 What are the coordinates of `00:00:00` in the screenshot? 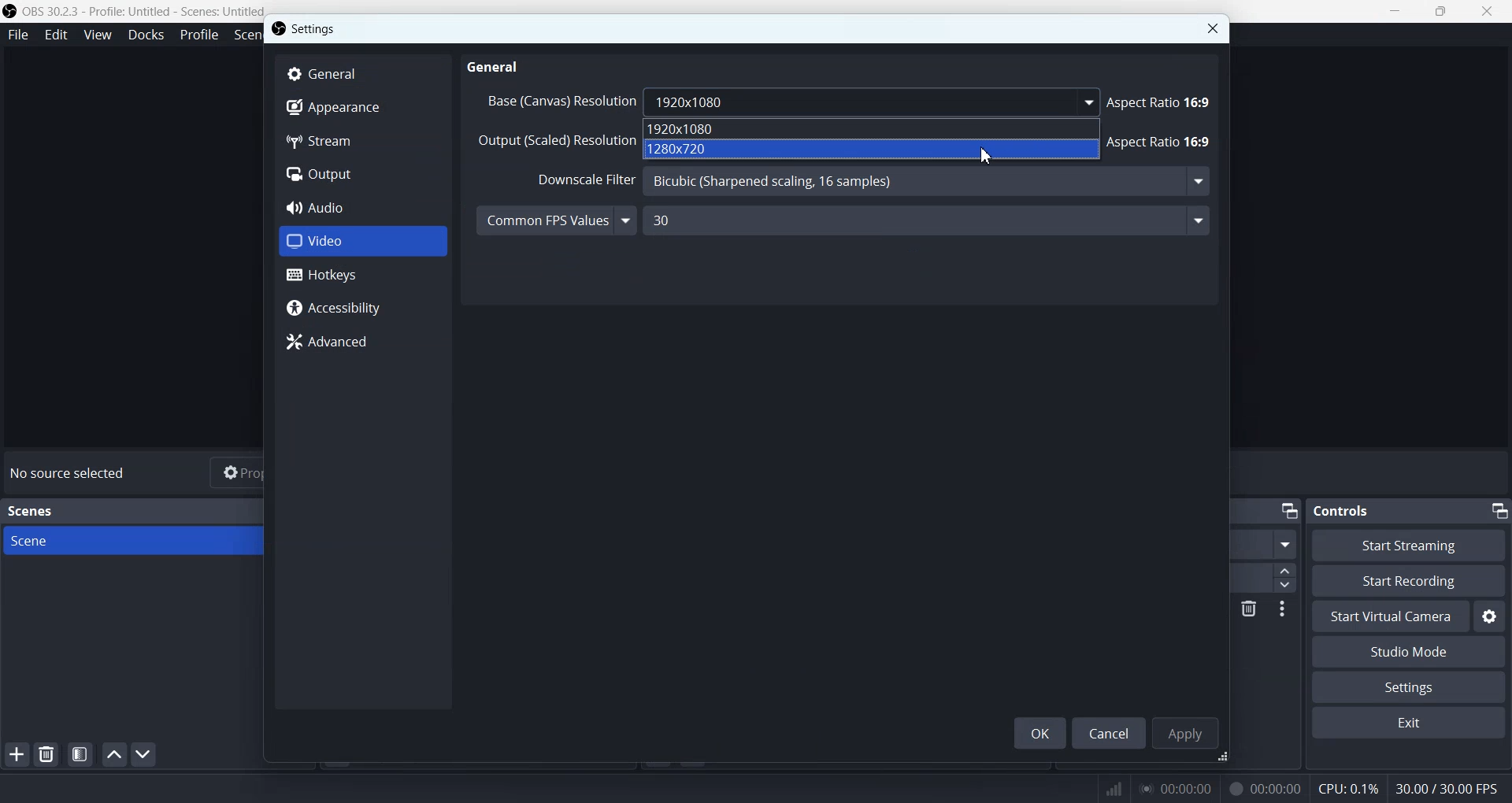 It's located at (1261, 788).